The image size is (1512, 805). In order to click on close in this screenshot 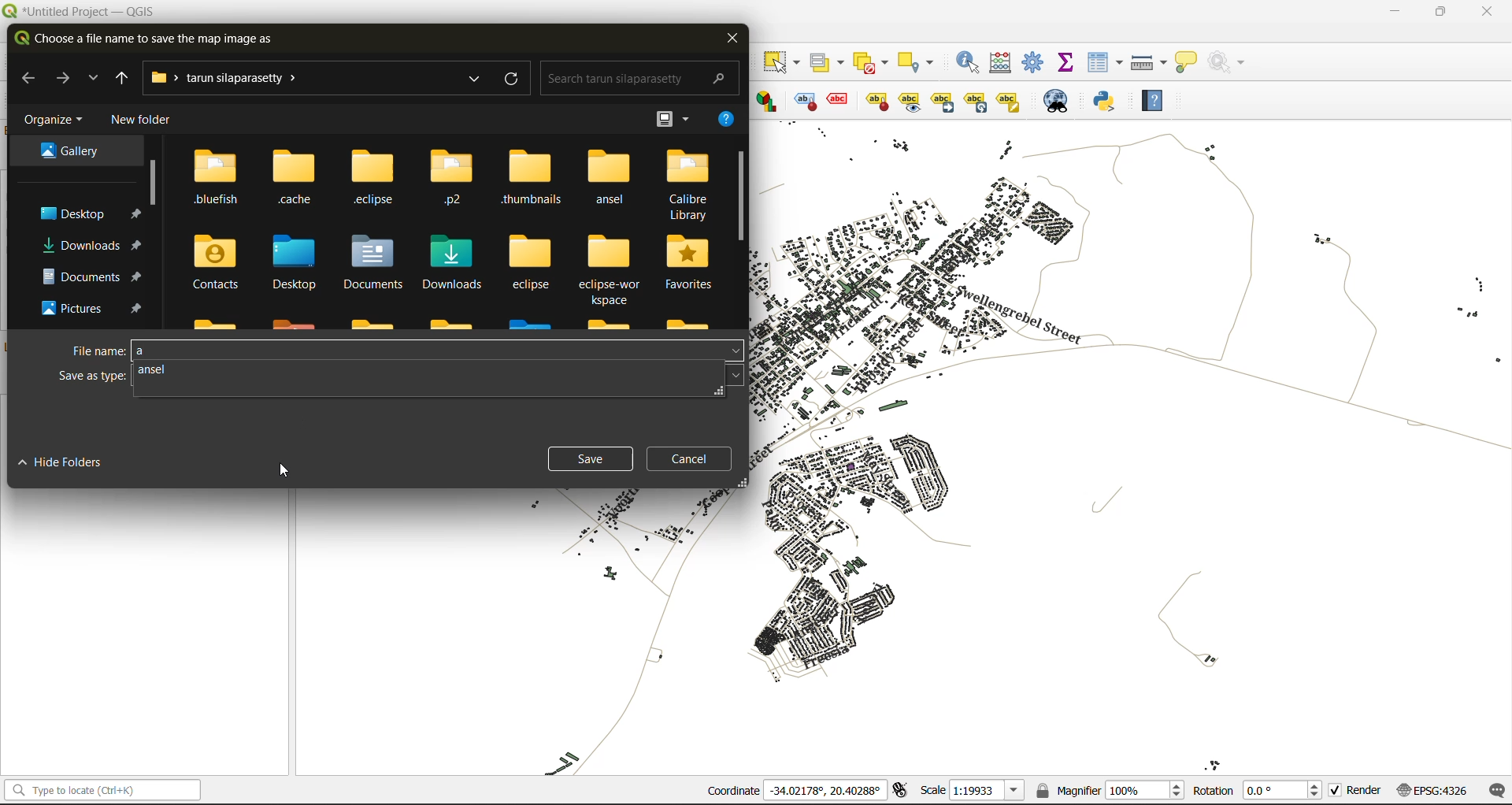, I will do `click(1487, 11)`.